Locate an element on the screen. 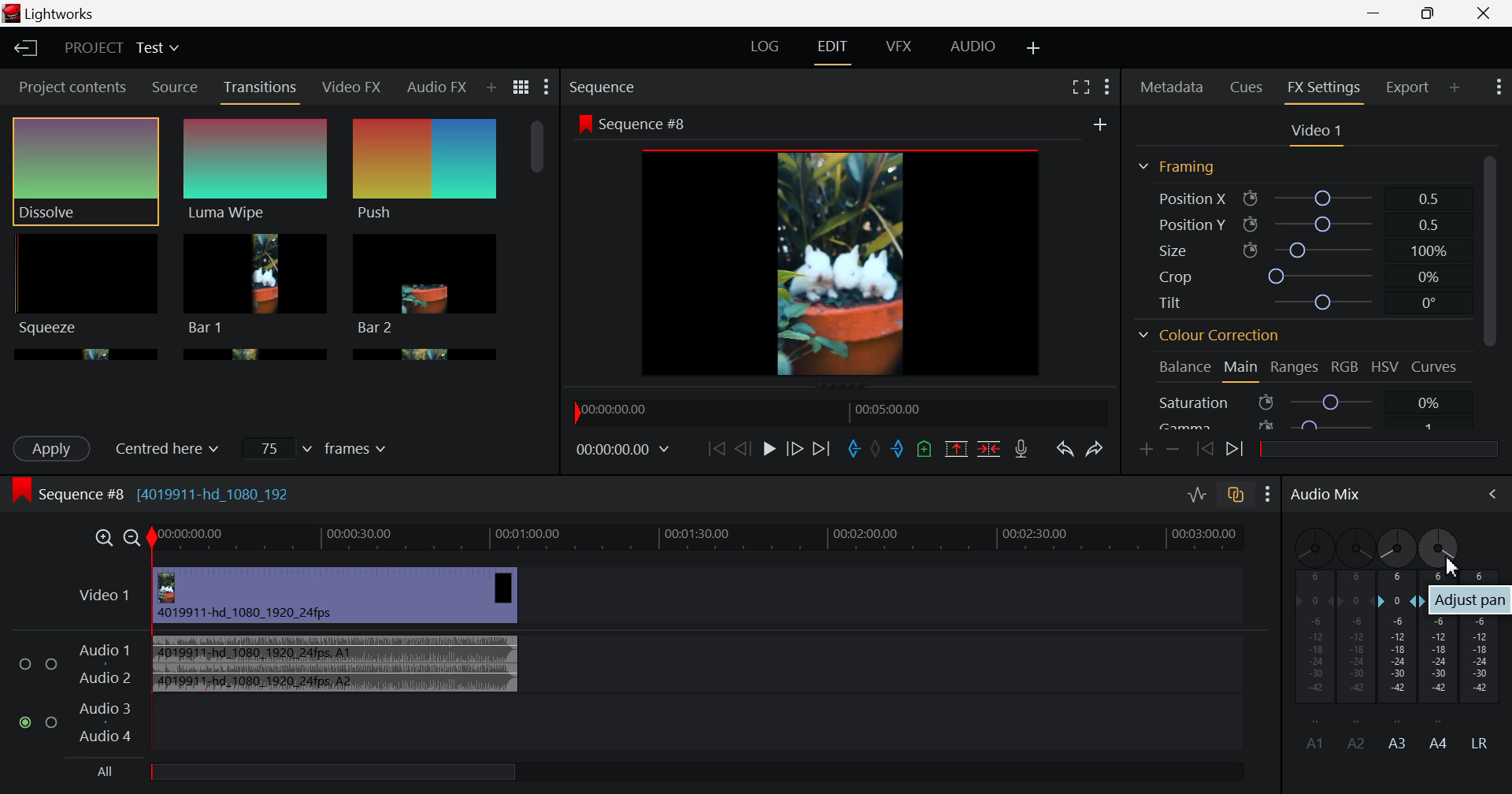 This screenshot has height=794, width=1512. Delete/Cut is located at coordinates (991, 448).